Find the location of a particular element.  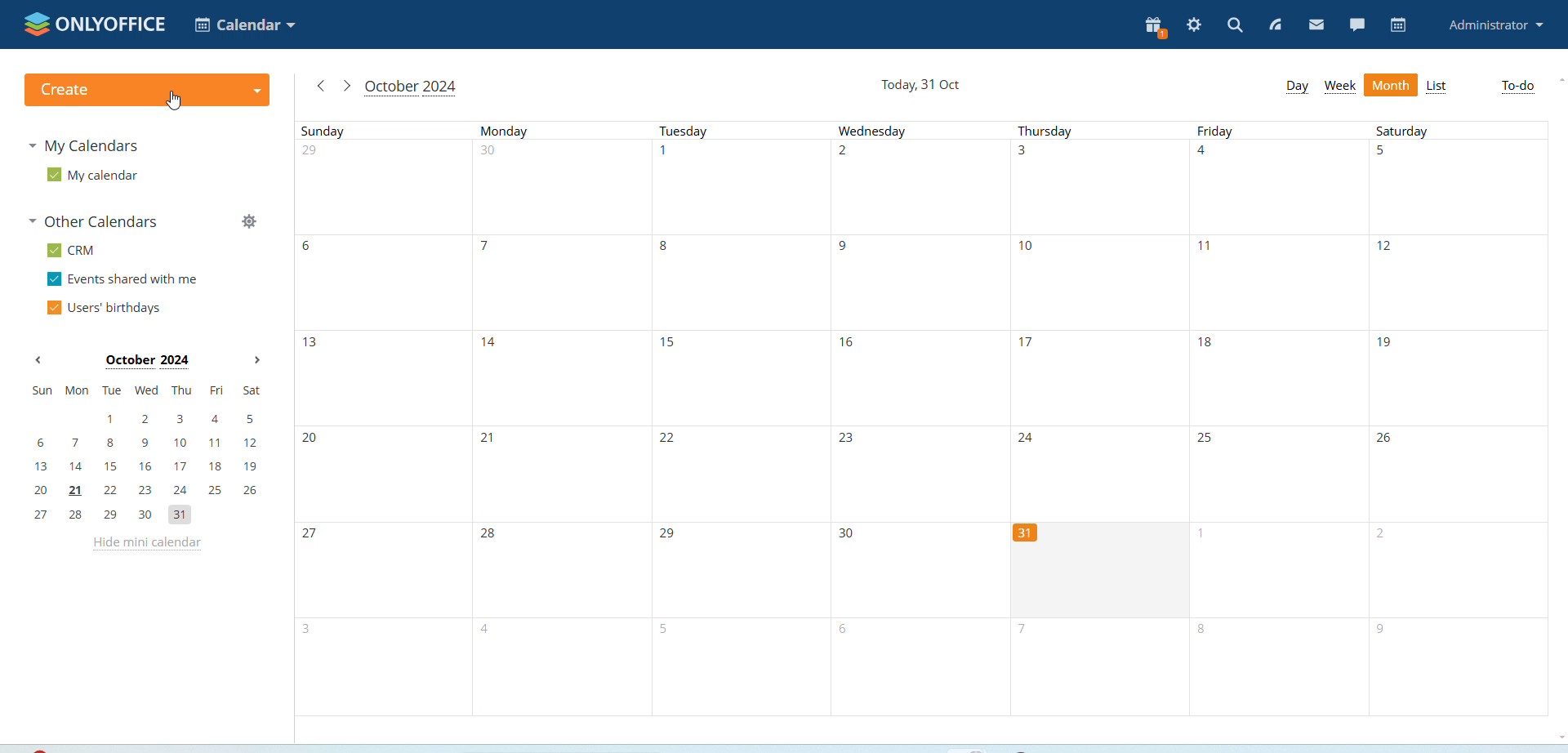

other calendars is located at coordinates (98, 221).